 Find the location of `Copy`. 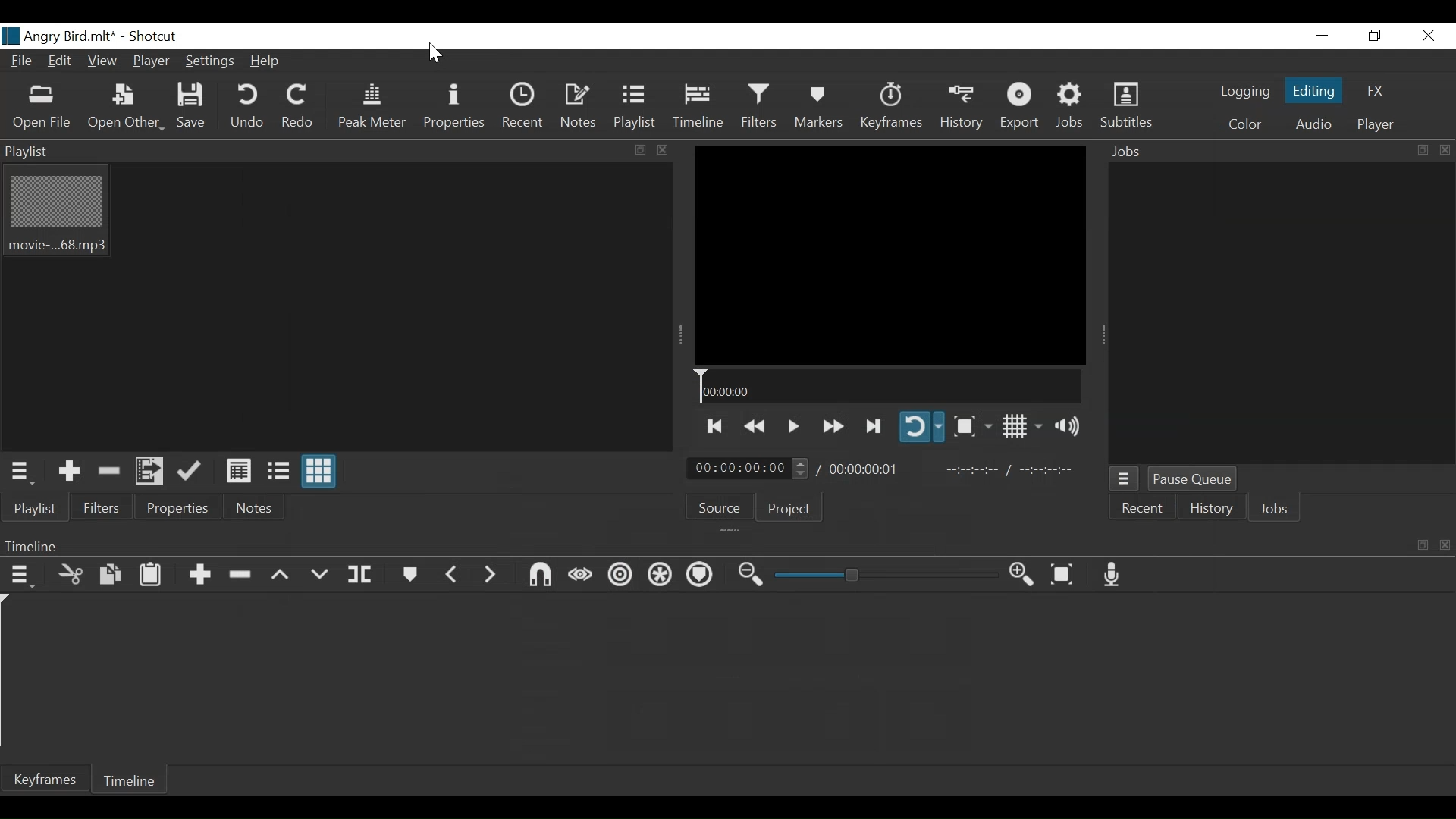

Copy is located at coordinates (110, 574).